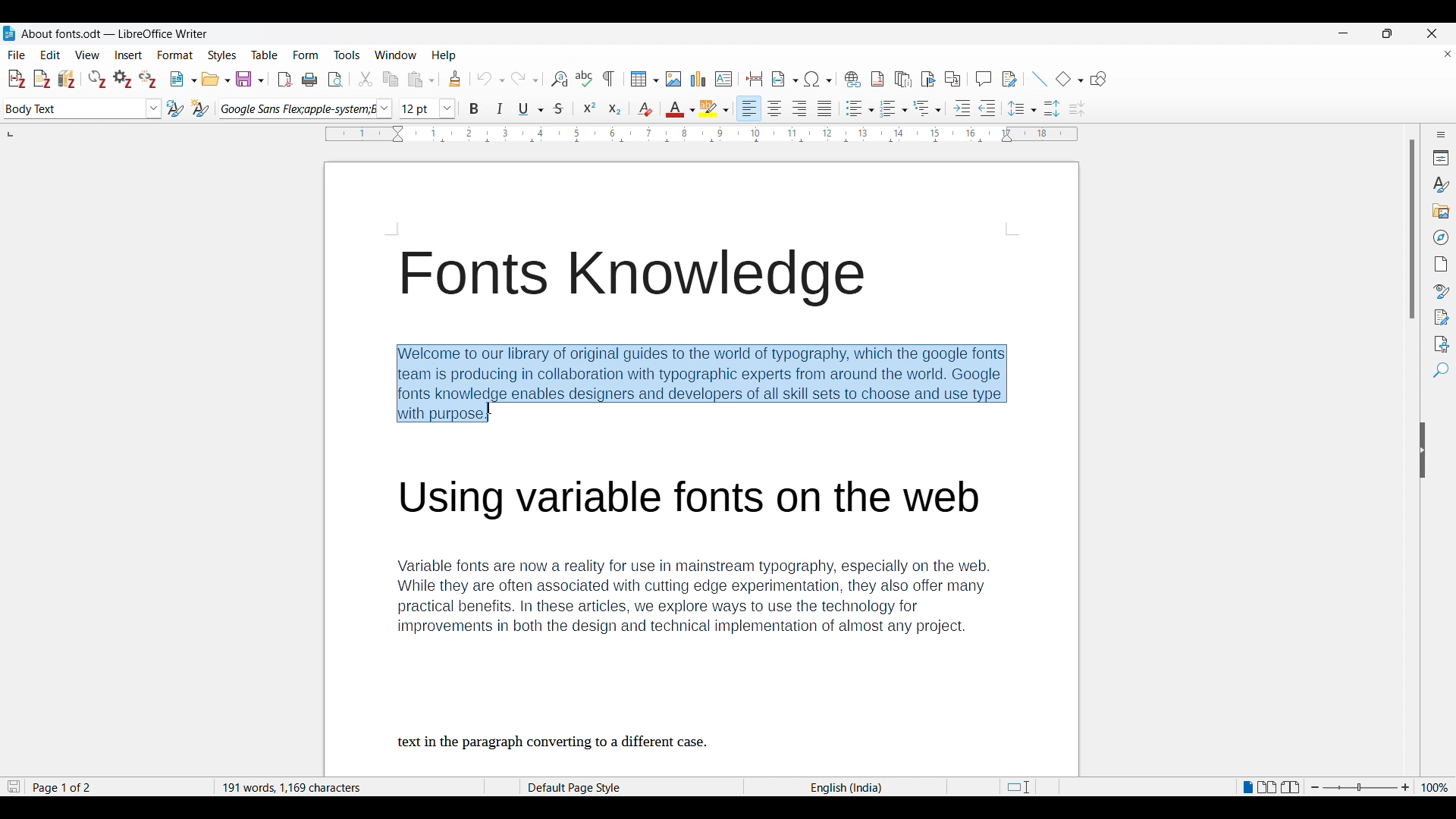 The image size is (1456, 819). Describe the element at coordinates (14, 786) in the screenshot. I see `Indicates changes that need to be saved` at that location.